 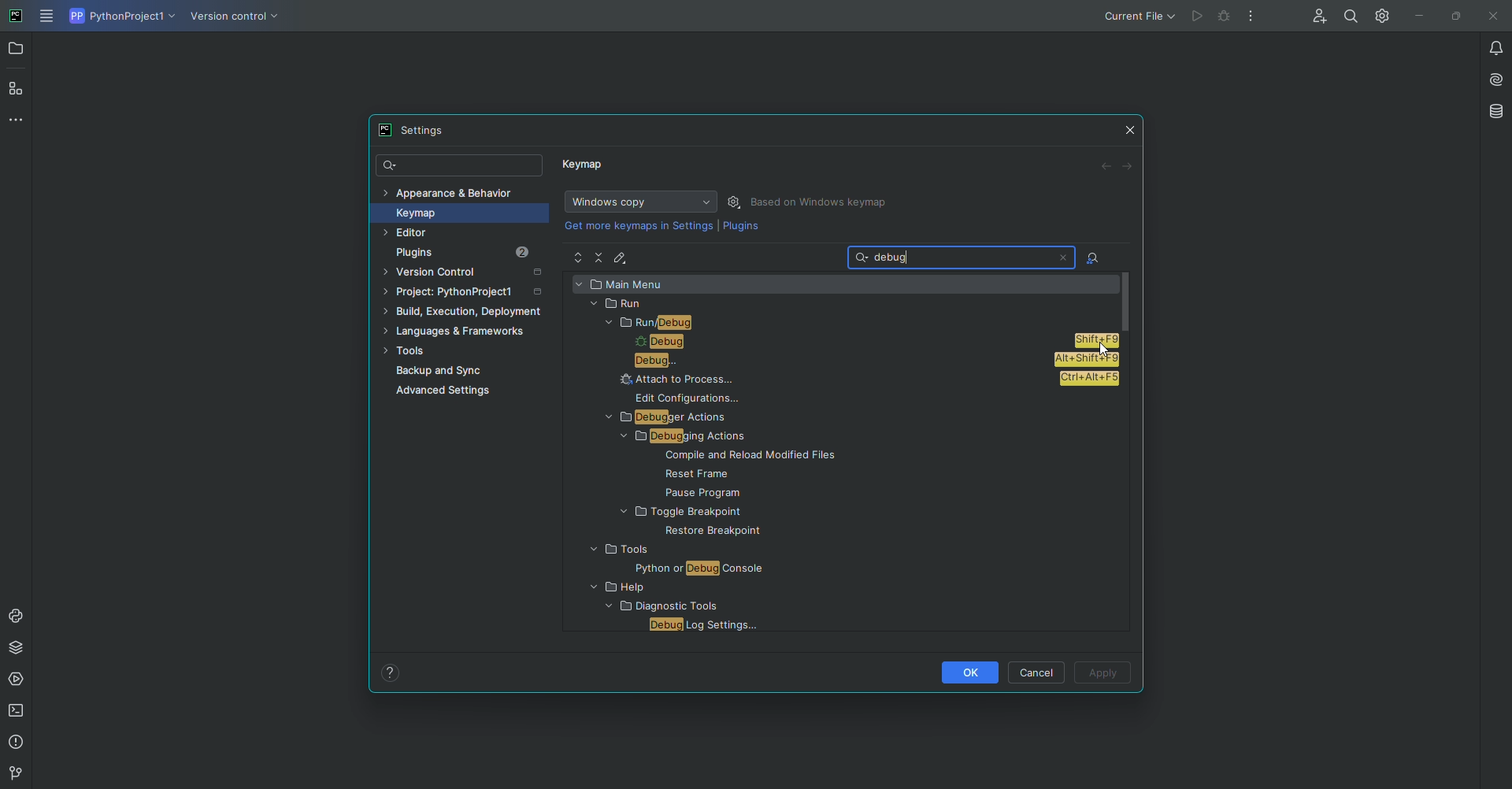 I want to click on Python project, so click(x=120, y=17).